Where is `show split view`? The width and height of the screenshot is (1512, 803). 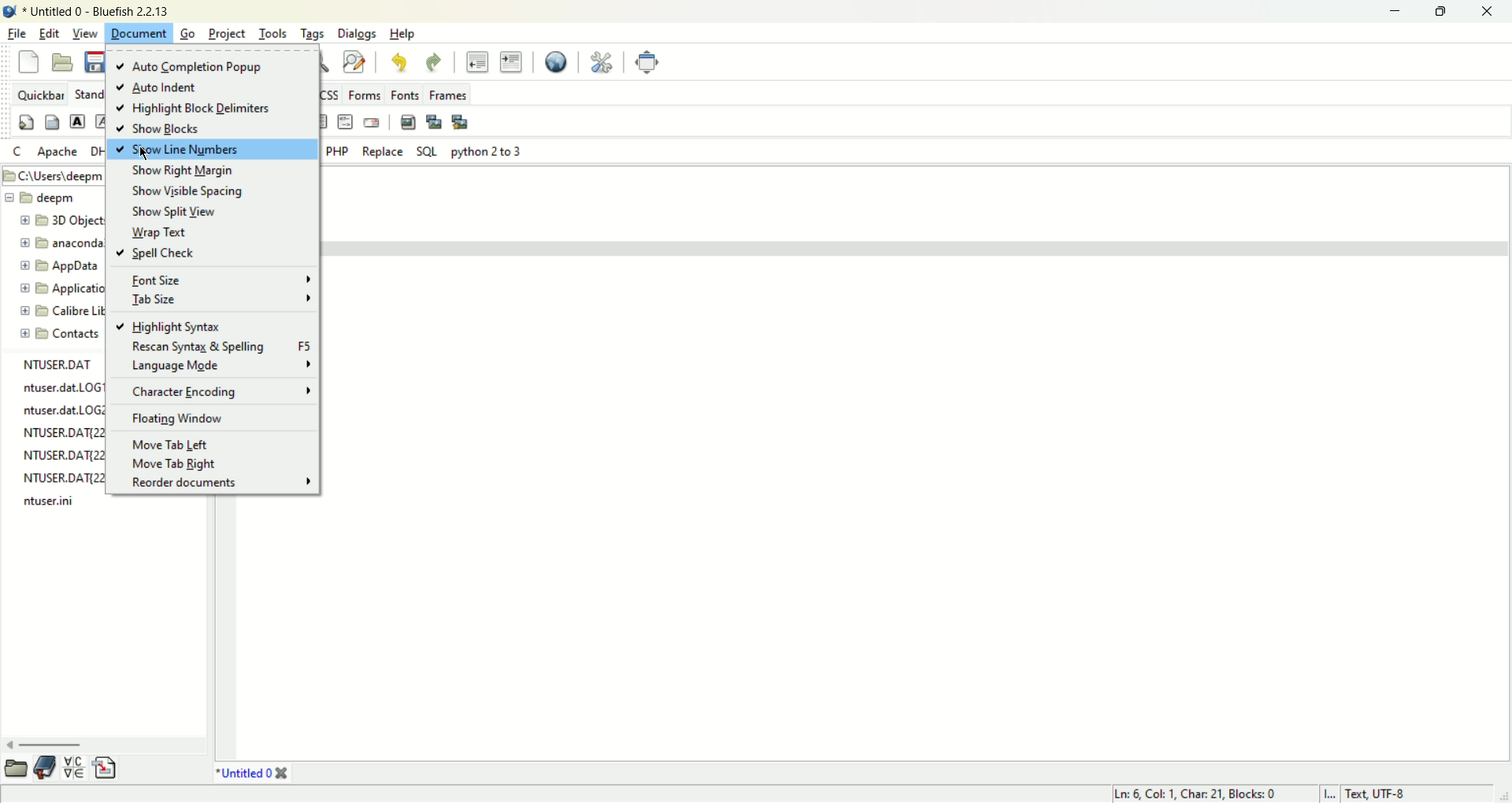
show split view is located at coordinates (176, 212).